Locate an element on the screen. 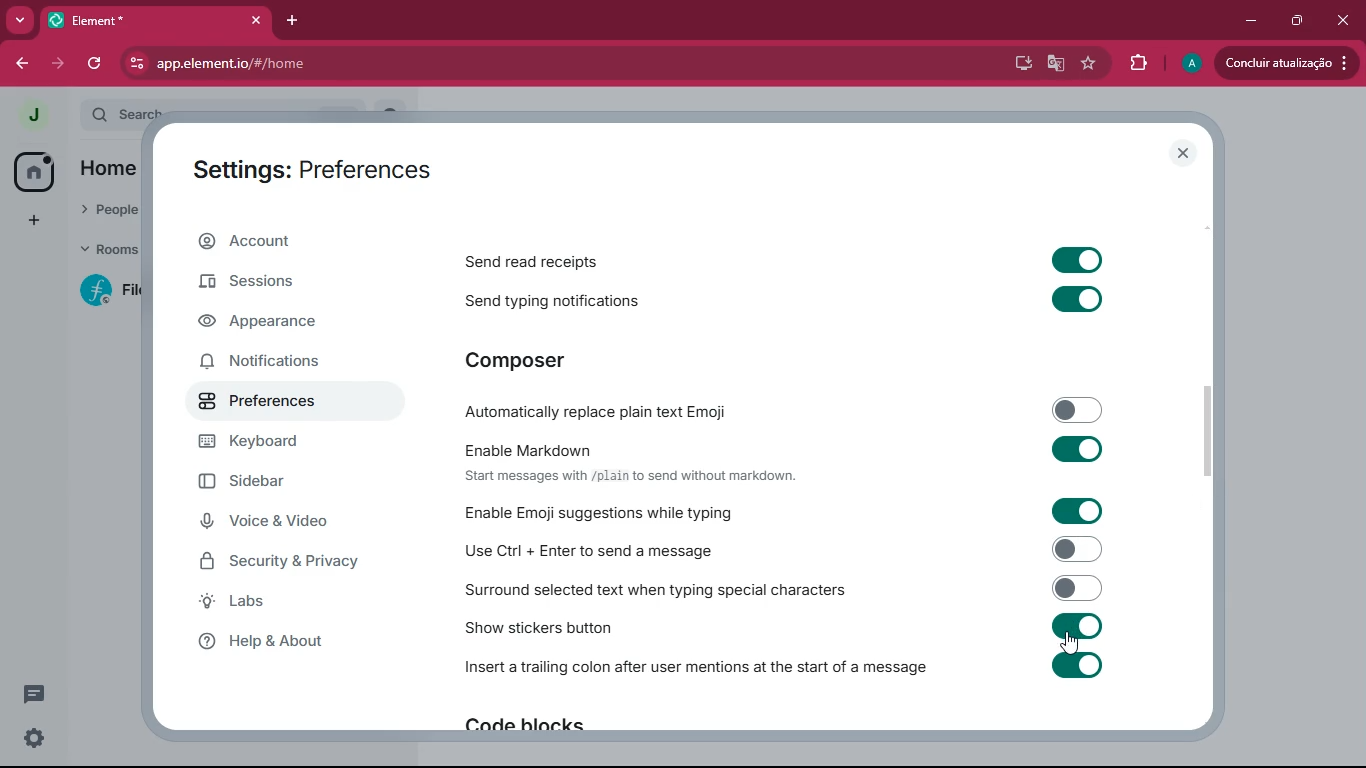 The image size is (1366, 768). Surround selected text when typing special characters is located at coordinates (782, 589).